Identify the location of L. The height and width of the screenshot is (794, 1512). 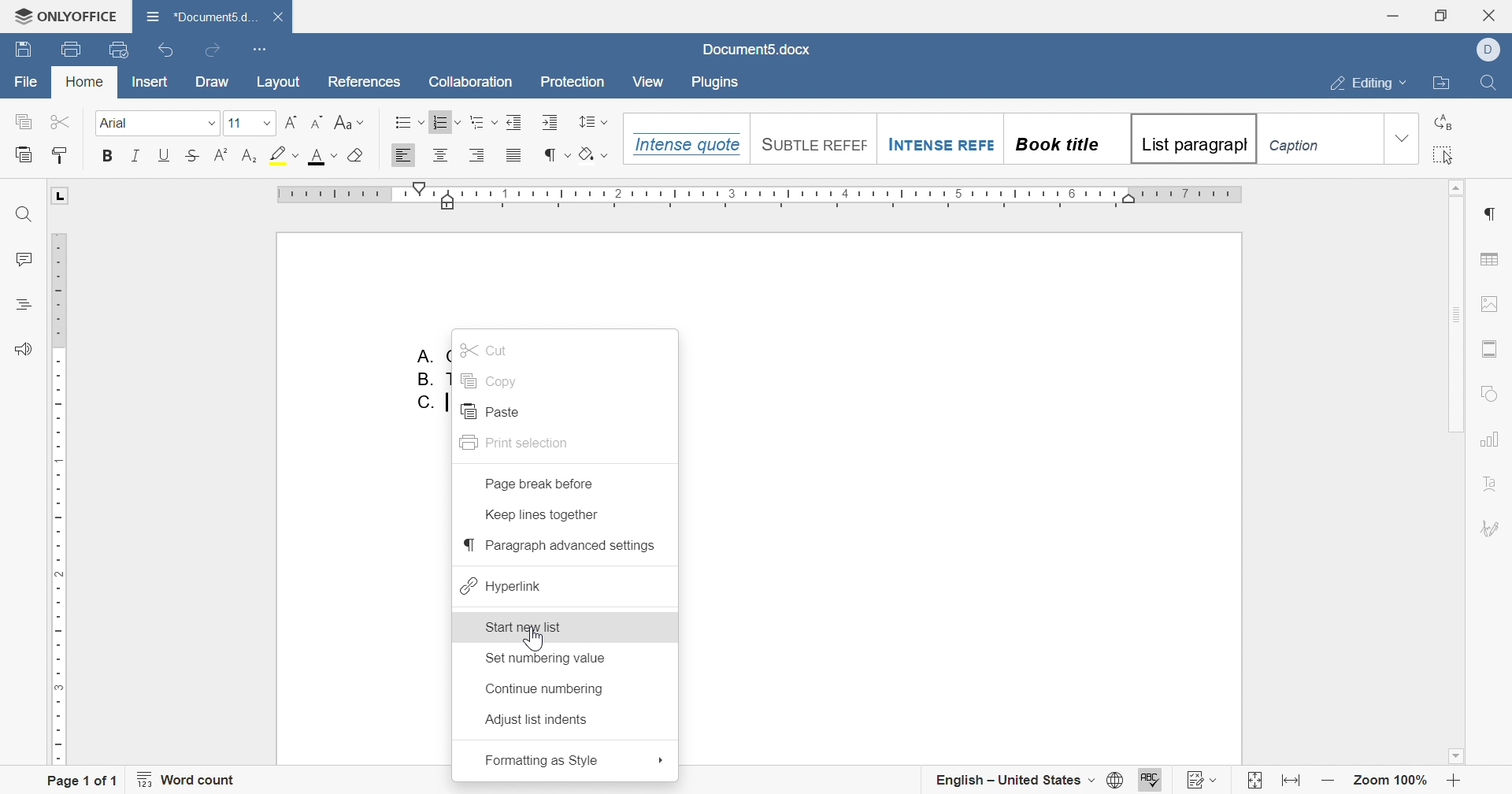
(61, 195).